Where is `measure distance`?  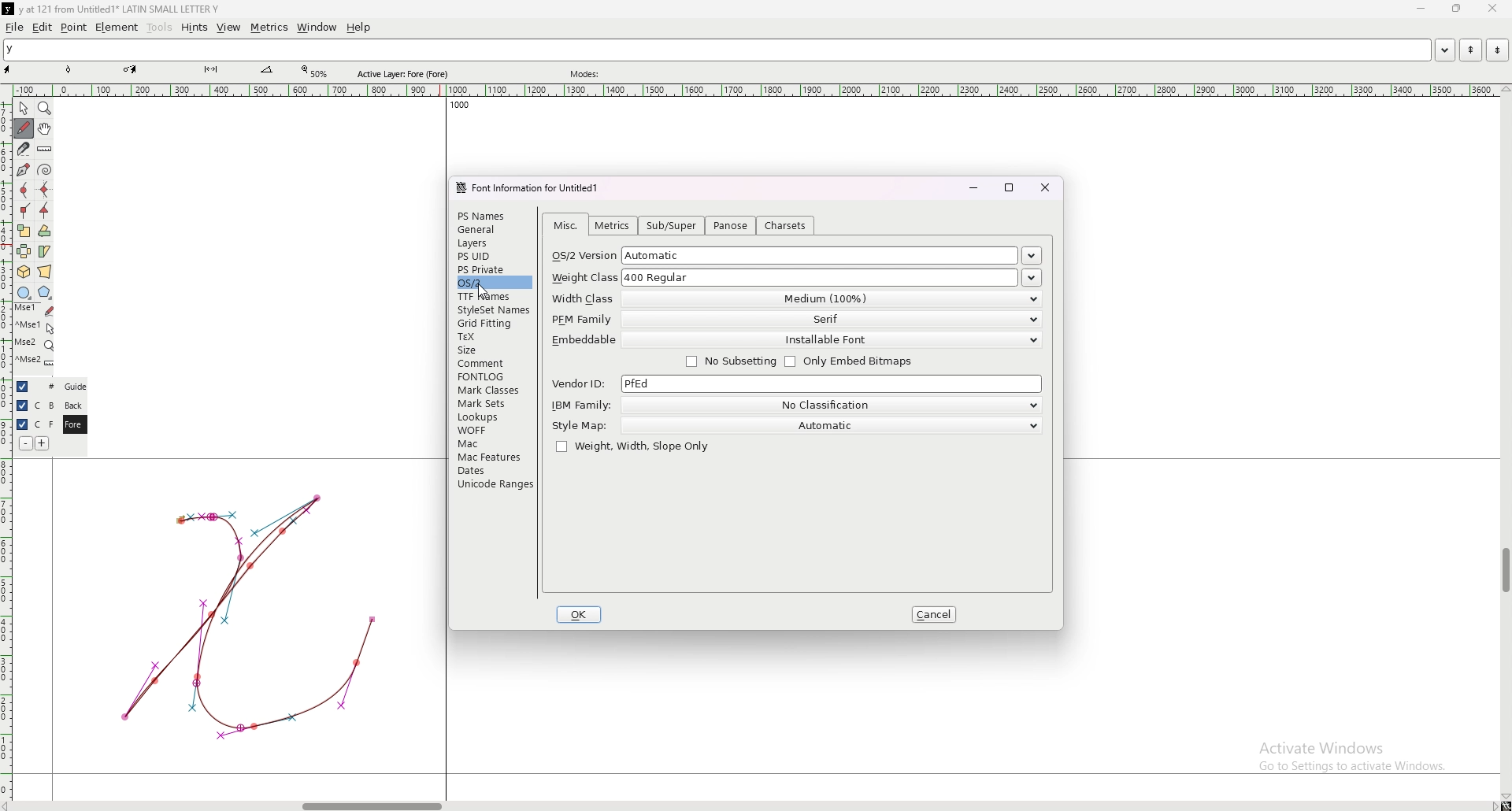 measure distance is located at coordinates (45, 150).